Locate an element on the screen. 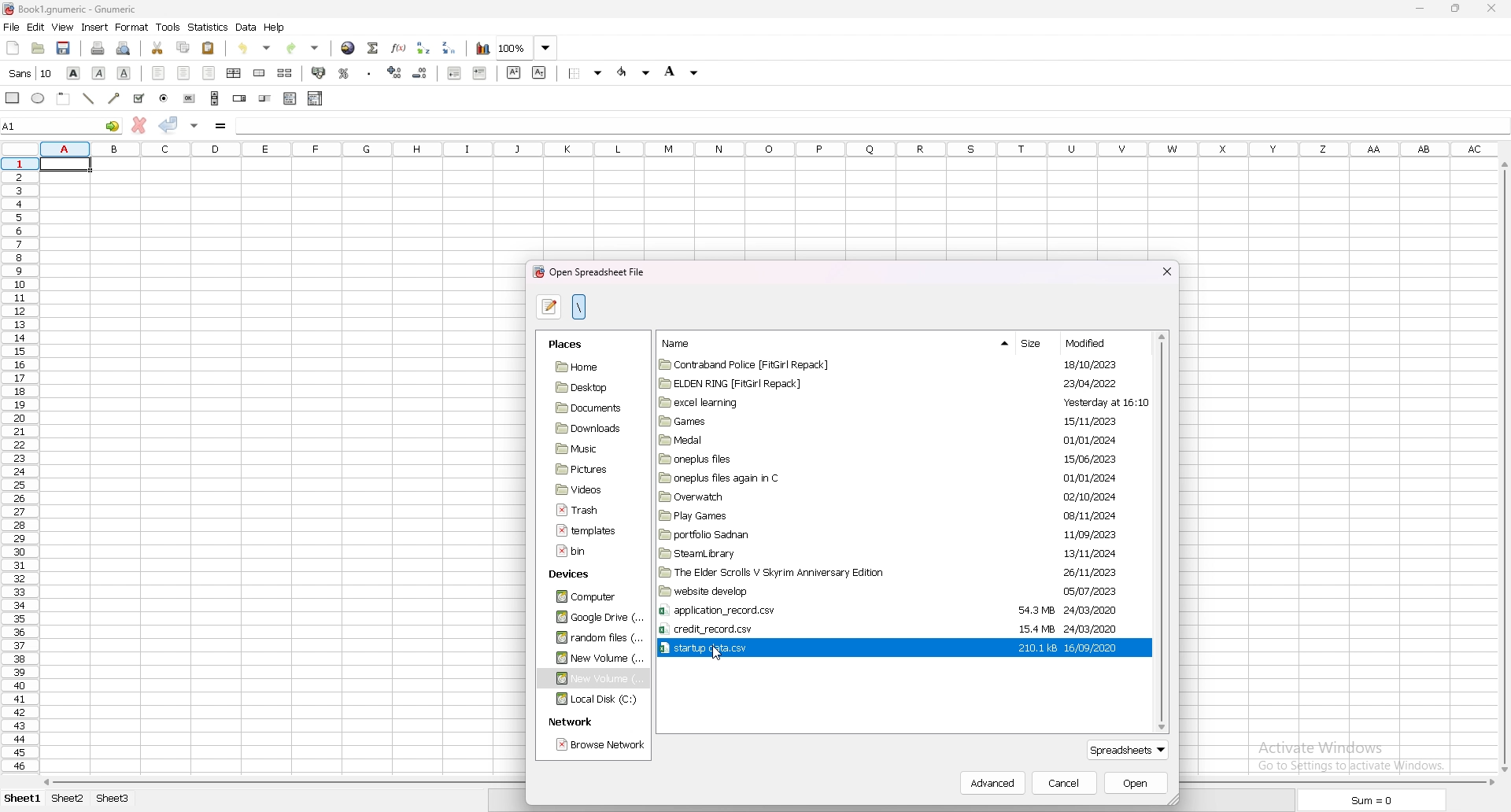 This screenshot has height=812, width=1511. foreground is located at coordinates (635, 72).